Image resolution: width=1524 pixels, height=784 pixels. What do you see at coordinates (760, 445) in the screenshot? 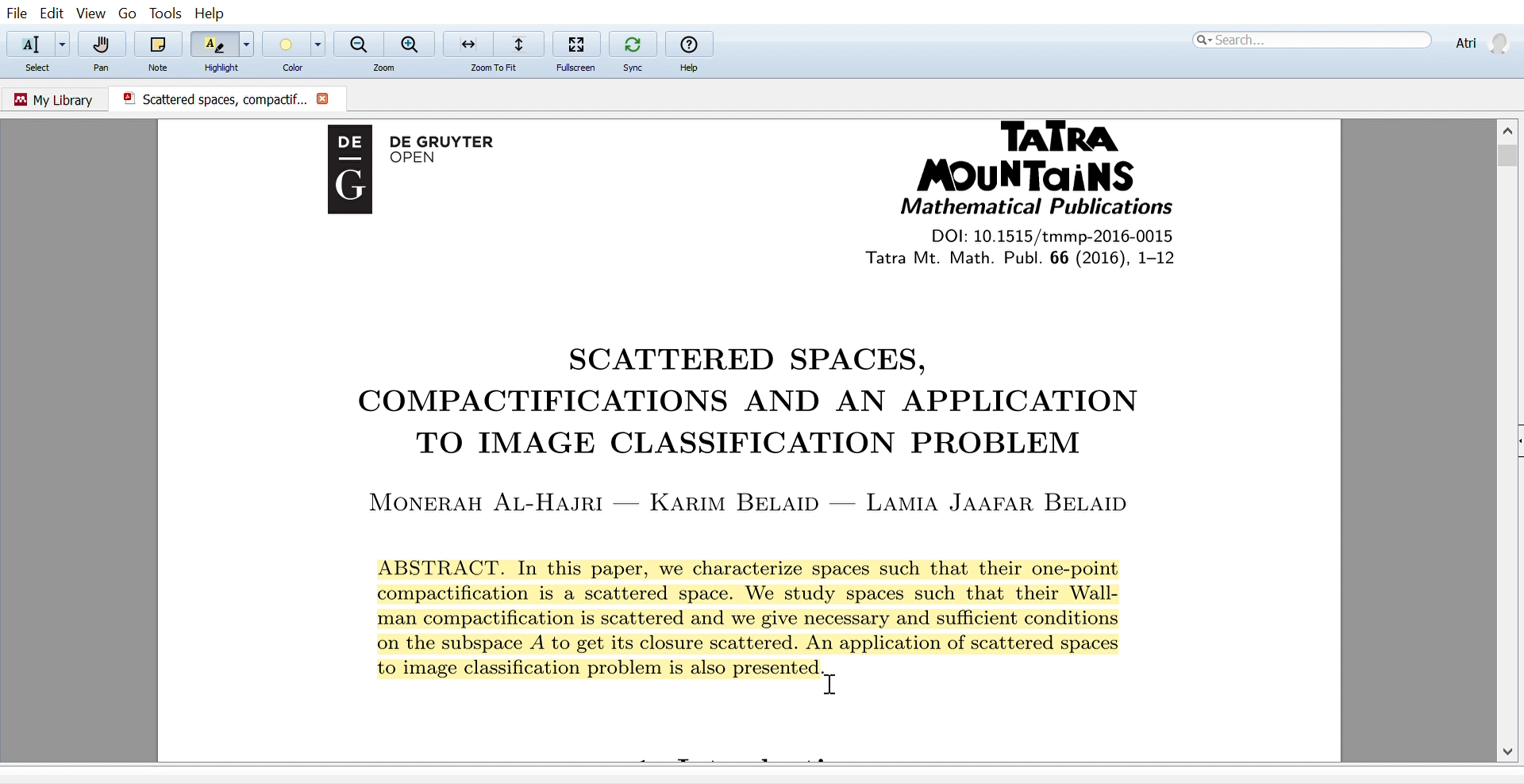
I see `TO IMAGE CLASSIFICATION PROBLEM` at bounding box center [760, 445].